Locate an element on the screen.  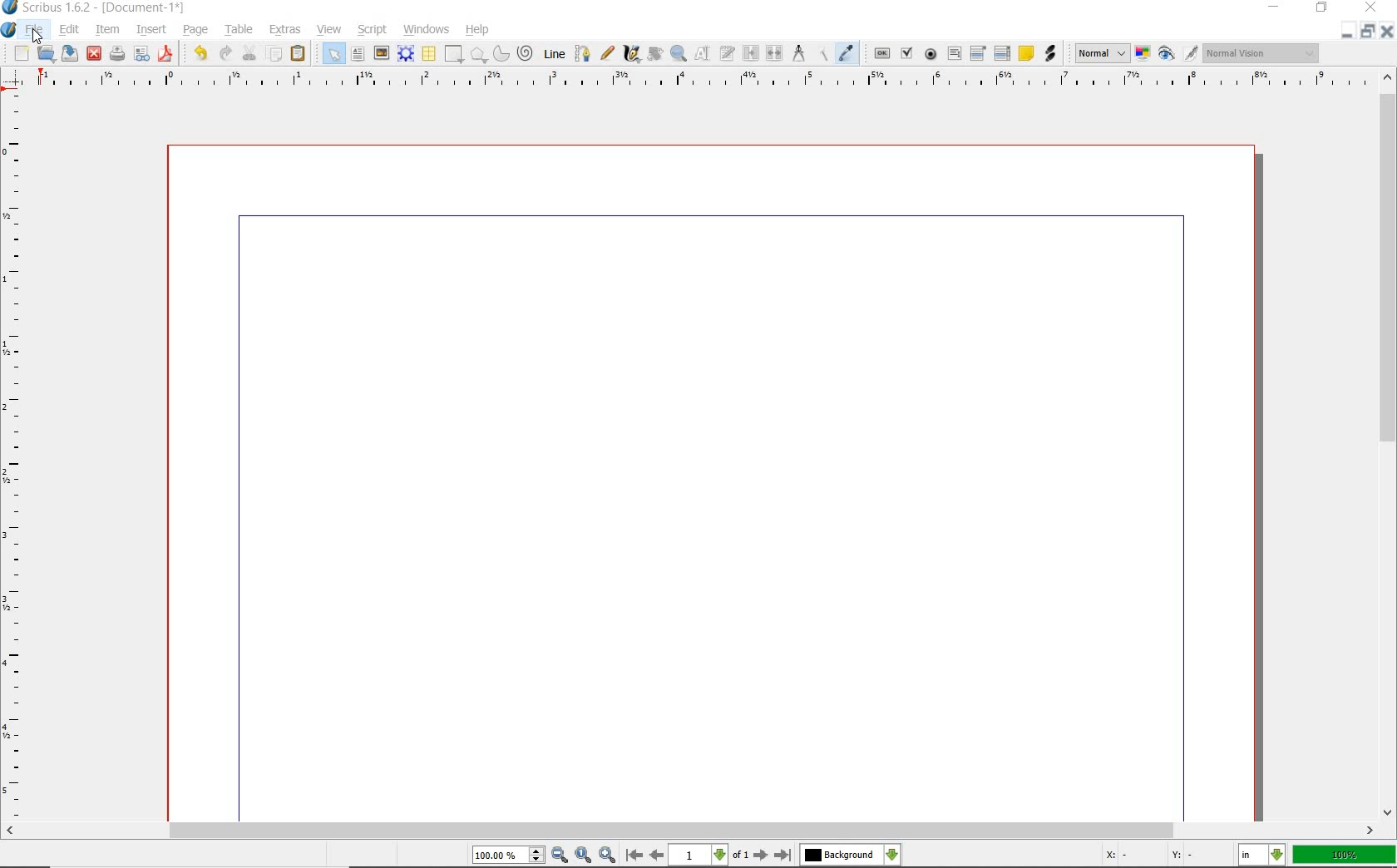
ruler is located at coordinates (15, 459).